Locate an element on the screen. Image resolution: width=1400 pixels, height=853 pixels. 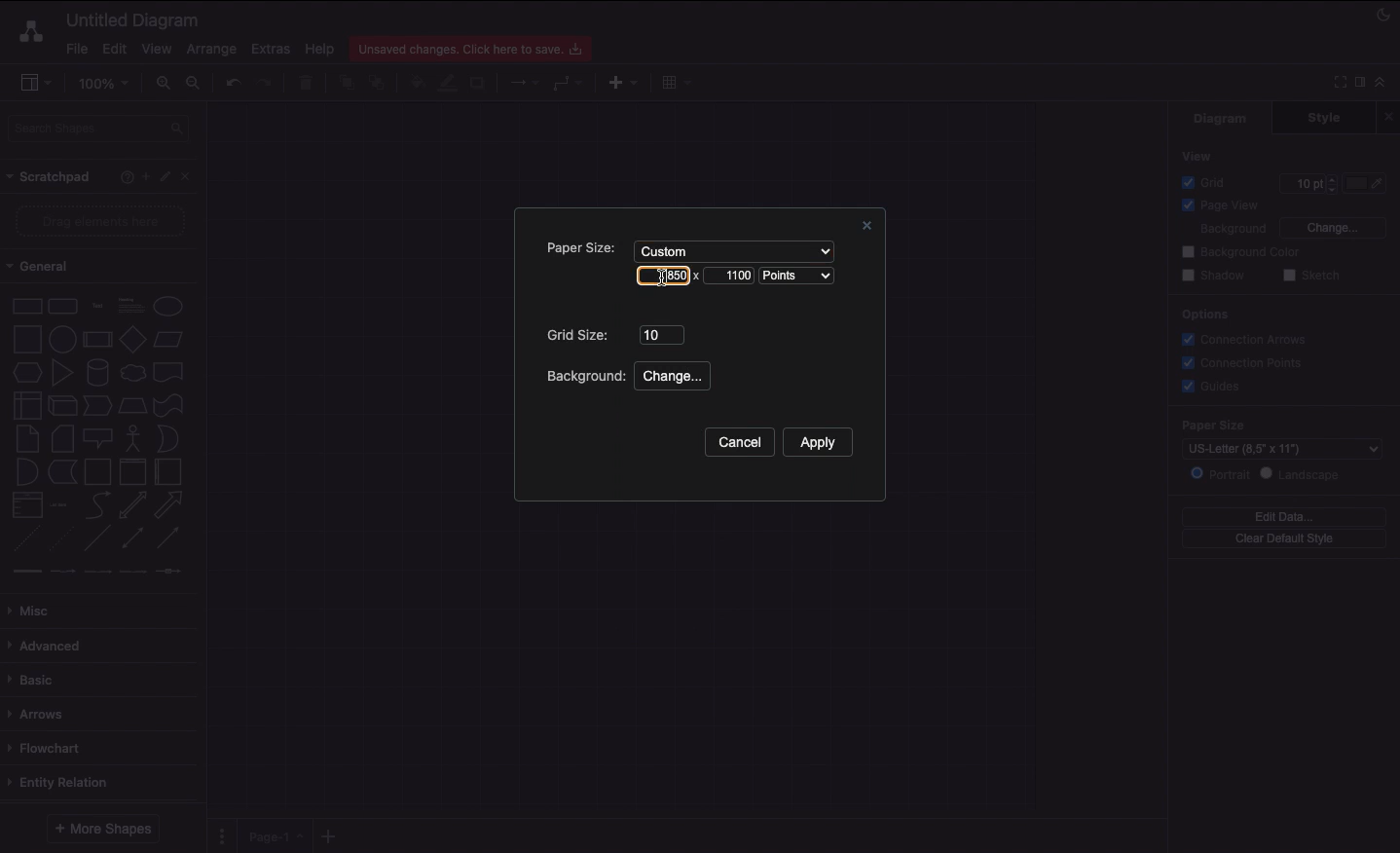
Style is located at coordinates (1326, 117).